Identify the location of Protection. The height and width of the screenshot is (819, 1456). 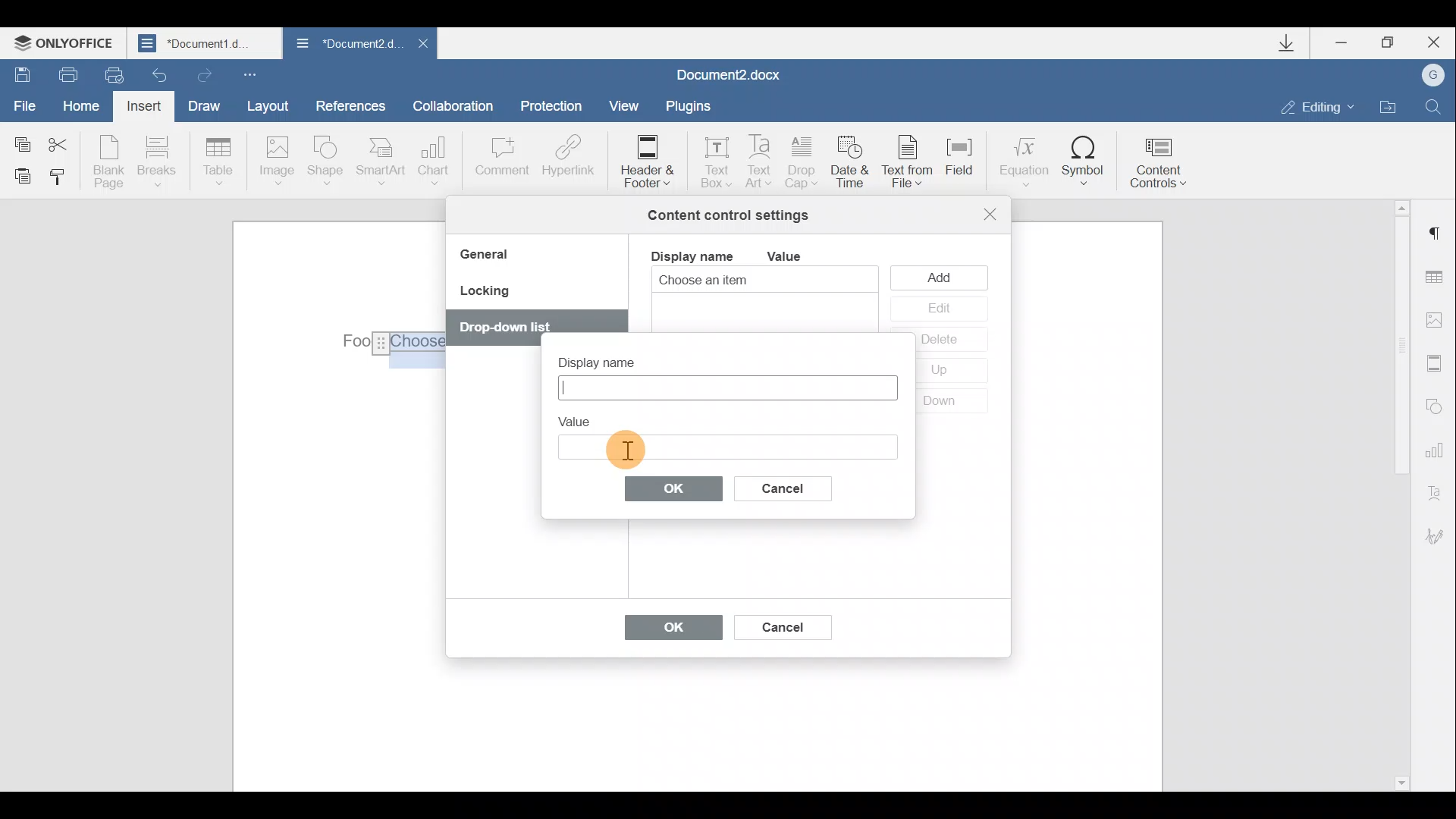
(555, 108).